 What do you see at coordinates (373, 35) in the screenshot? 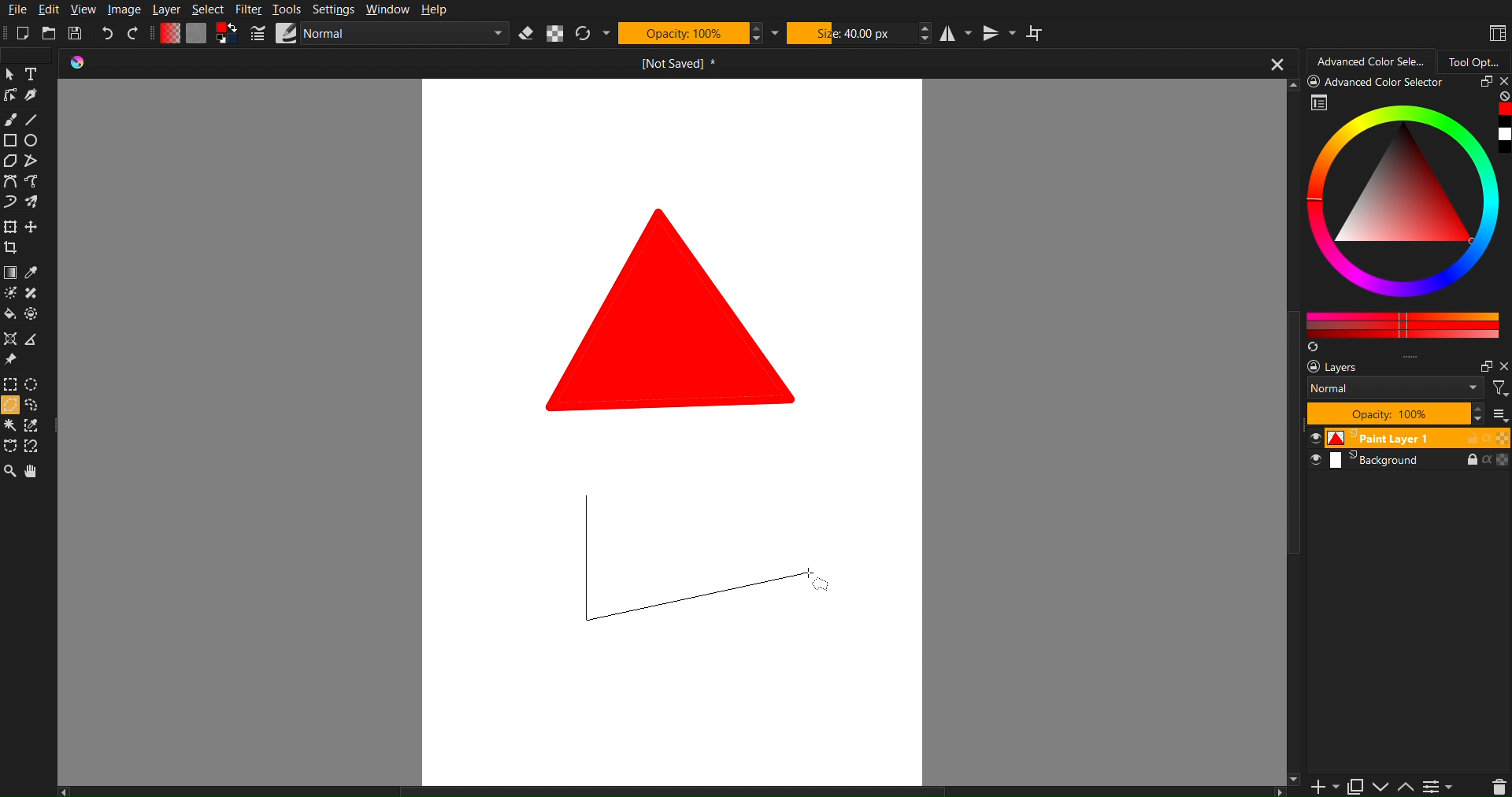
I see `Brush Settings` at bounding box center [373, 35].